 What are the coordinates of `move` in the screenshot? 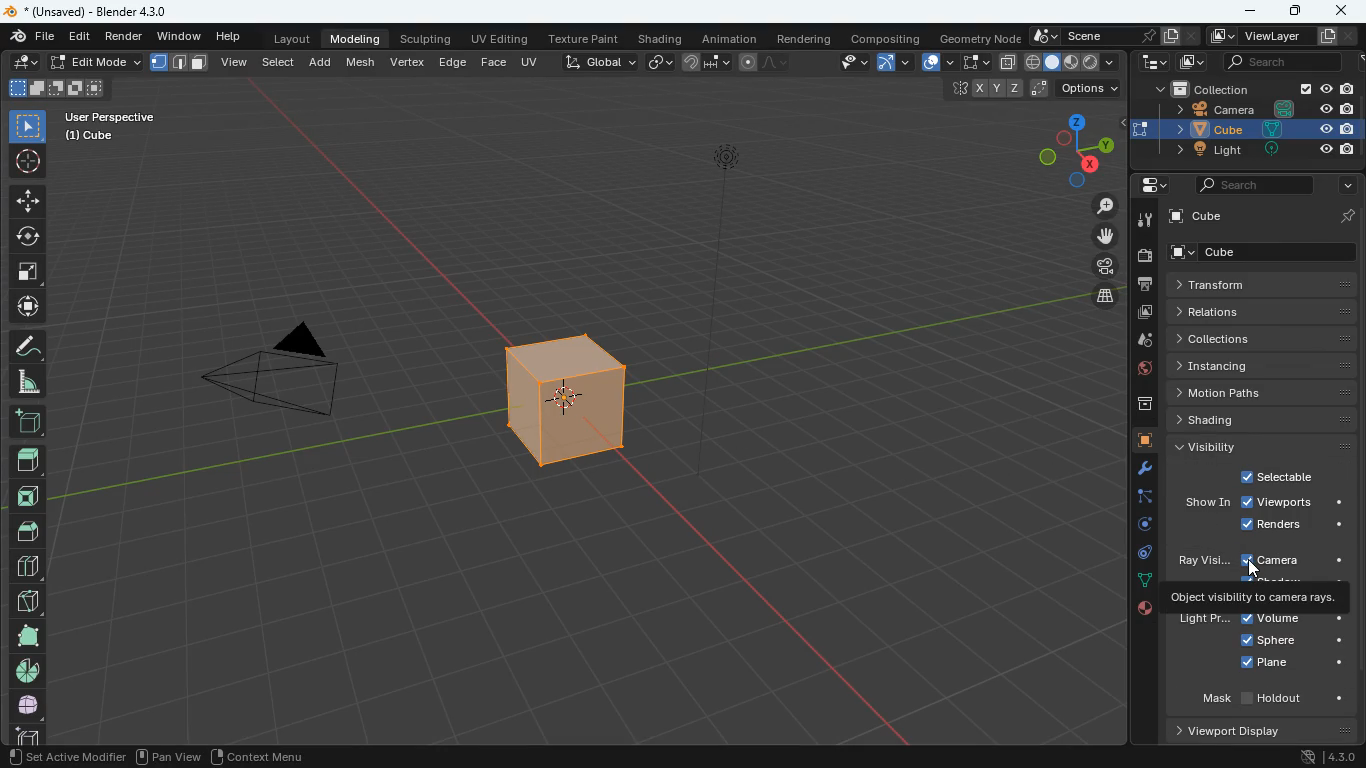 It's located at (26, 202).